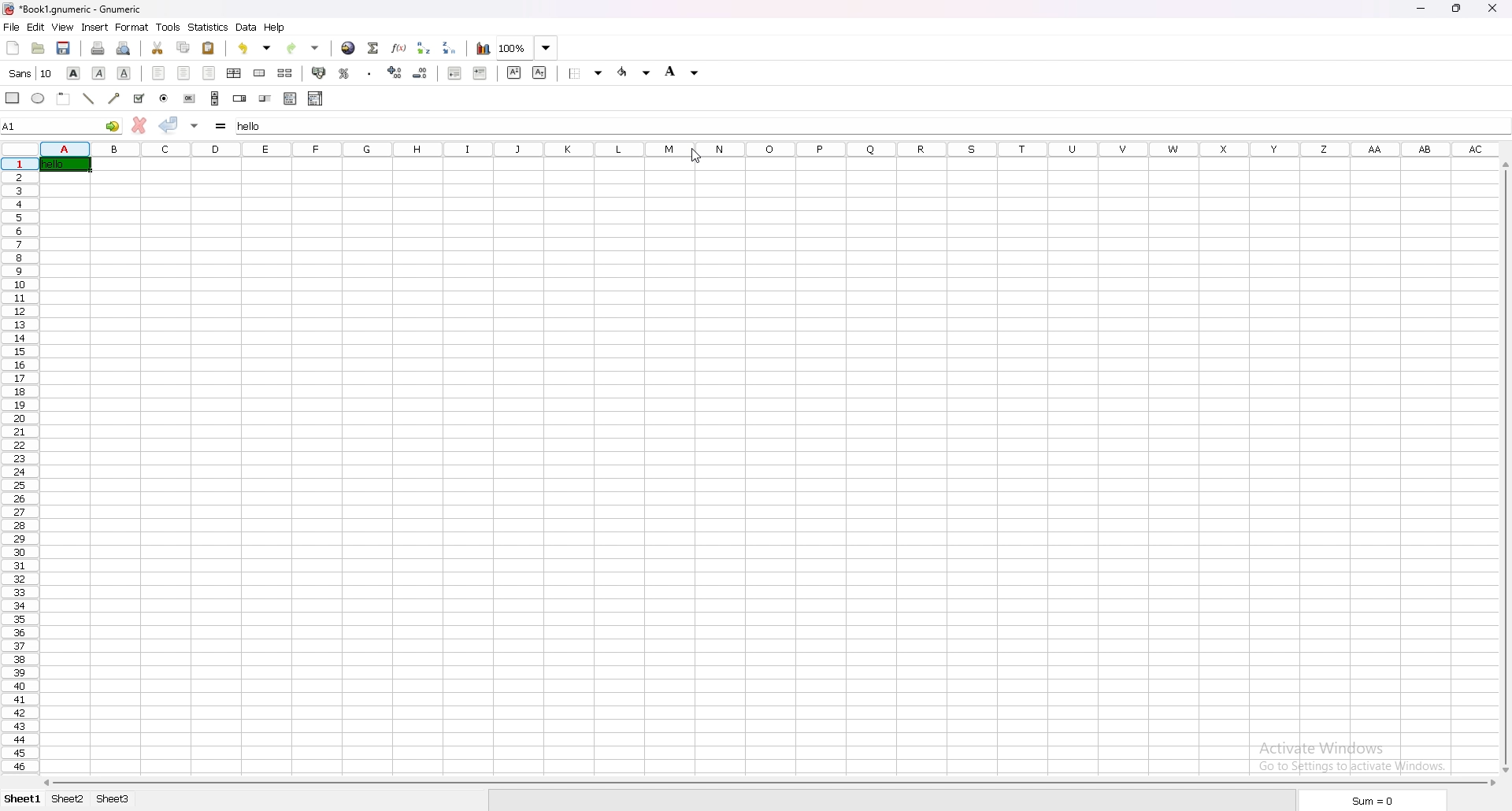 The image size is (1512, 811). Describe the element at coordinates (319, 72) in the screenshot. I see `accounting` at that location.